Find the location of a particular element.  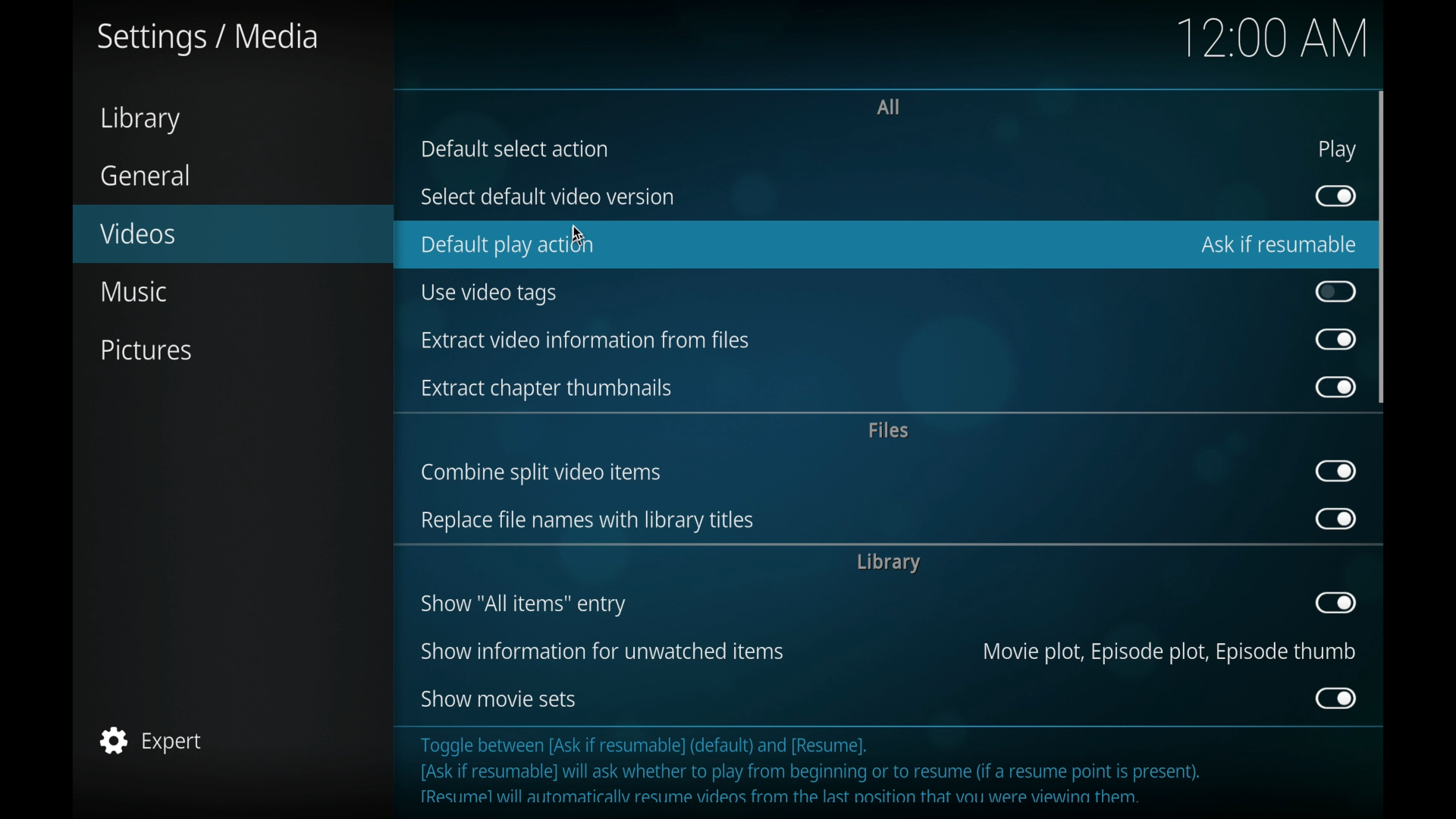

library is located at coordinates (888, 563).